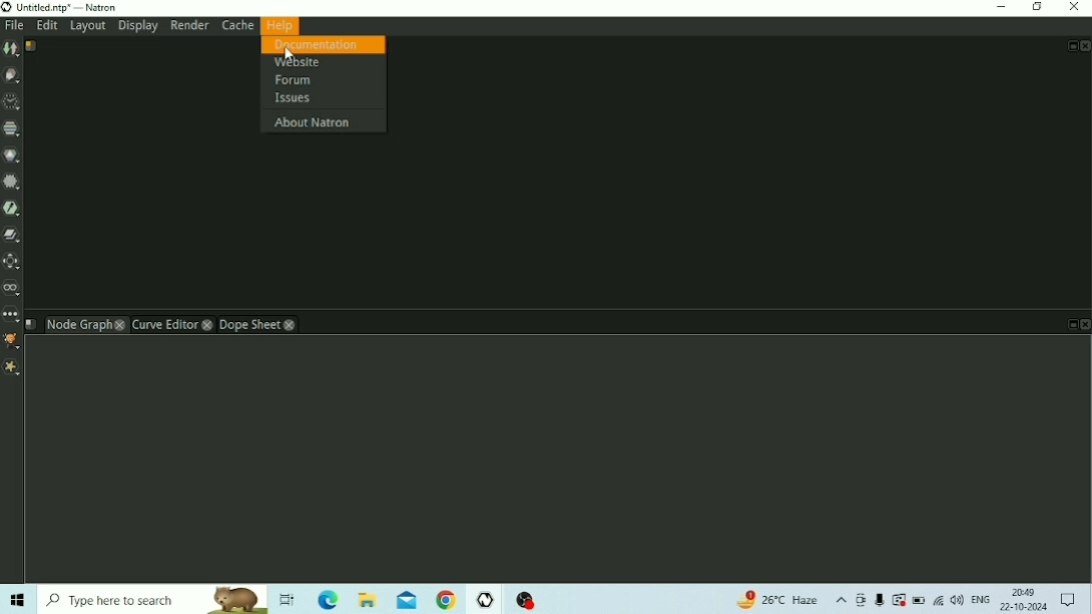 This screenshot has height=614, width=1092. What do you see at coordinates (32, 325) in the screenshot?
I see `Script name` at bounding box center [32, 325].